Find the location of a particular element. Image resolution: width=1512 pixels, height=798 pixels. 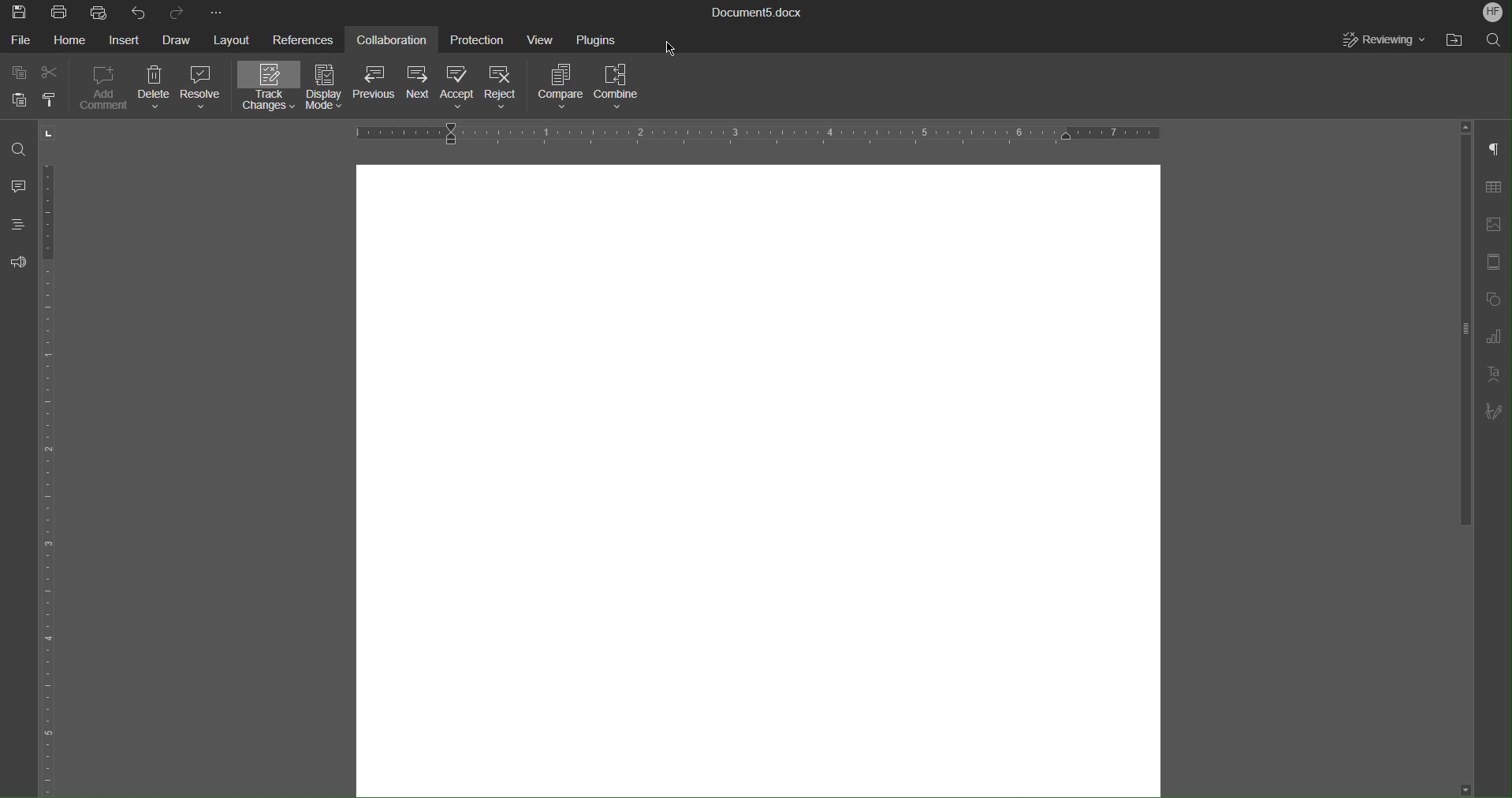

References is located at coordinates (308, 39).